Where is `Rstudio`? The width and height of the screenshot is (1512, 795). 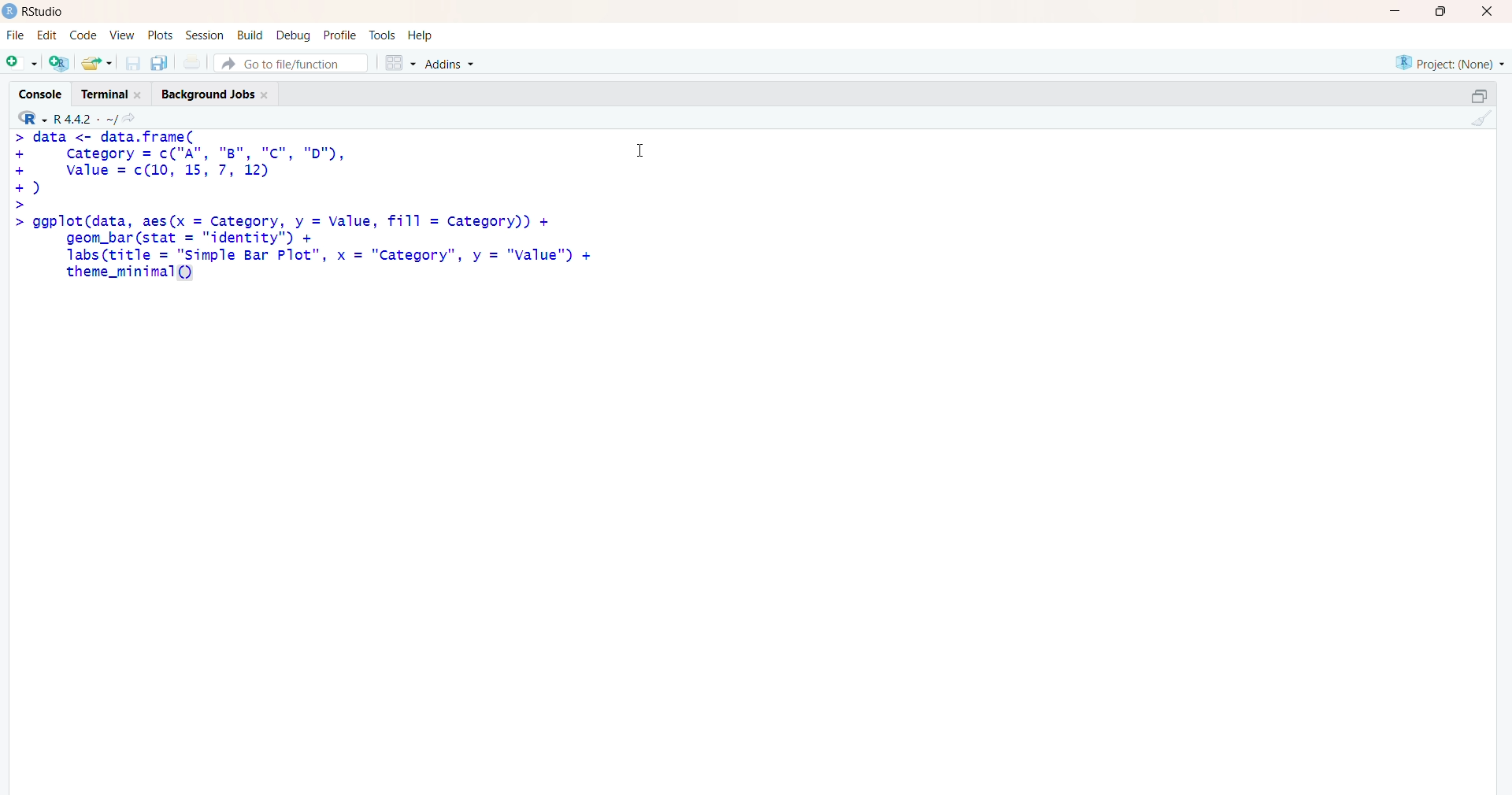 Rstudio is located at coordinates (48, 12).